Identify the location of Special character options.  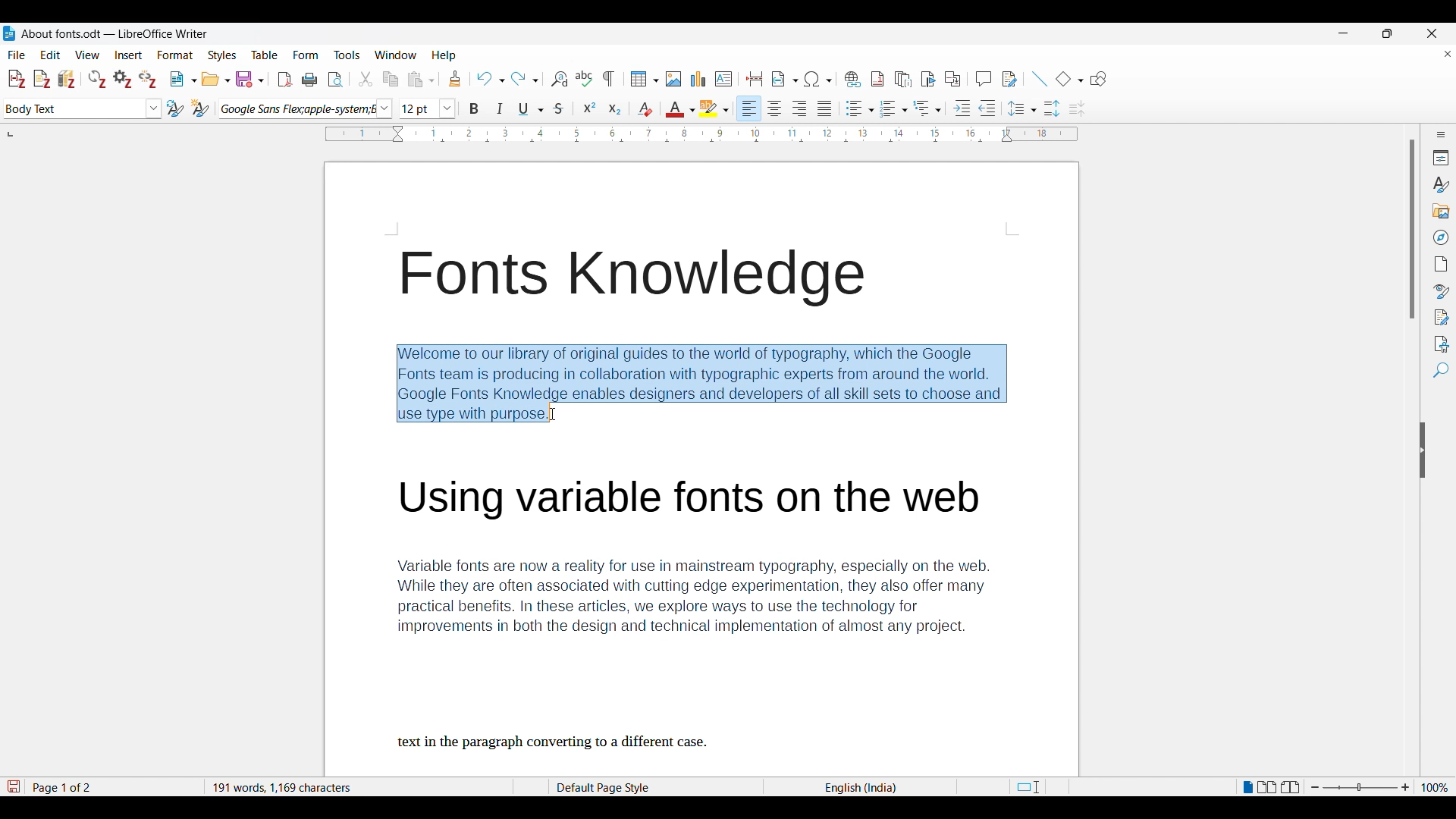
(819, 79).